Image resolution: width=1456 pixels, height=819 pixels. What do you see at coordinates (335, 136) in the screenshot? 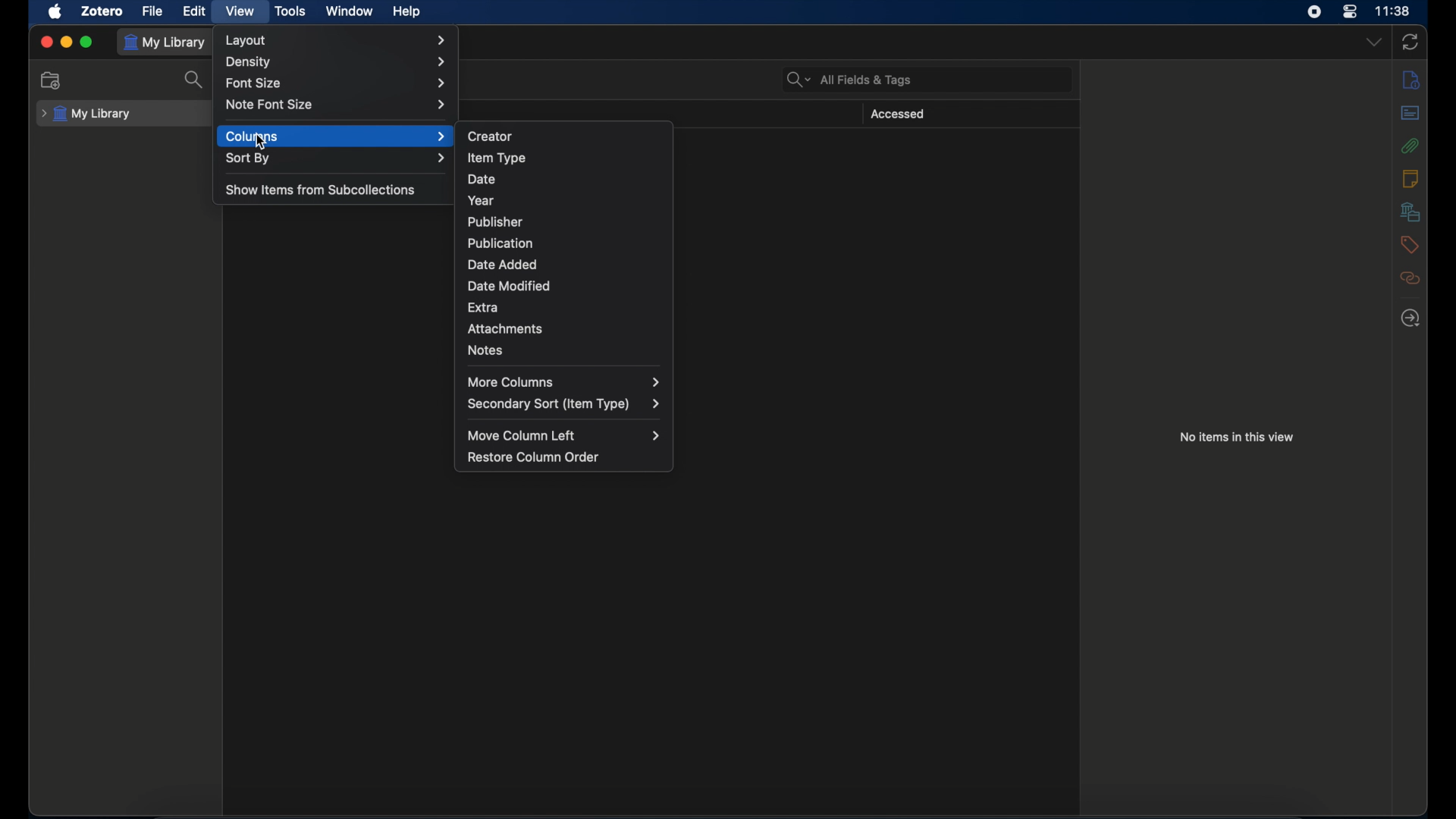
I see `columns` at bounding box center [335, 136].